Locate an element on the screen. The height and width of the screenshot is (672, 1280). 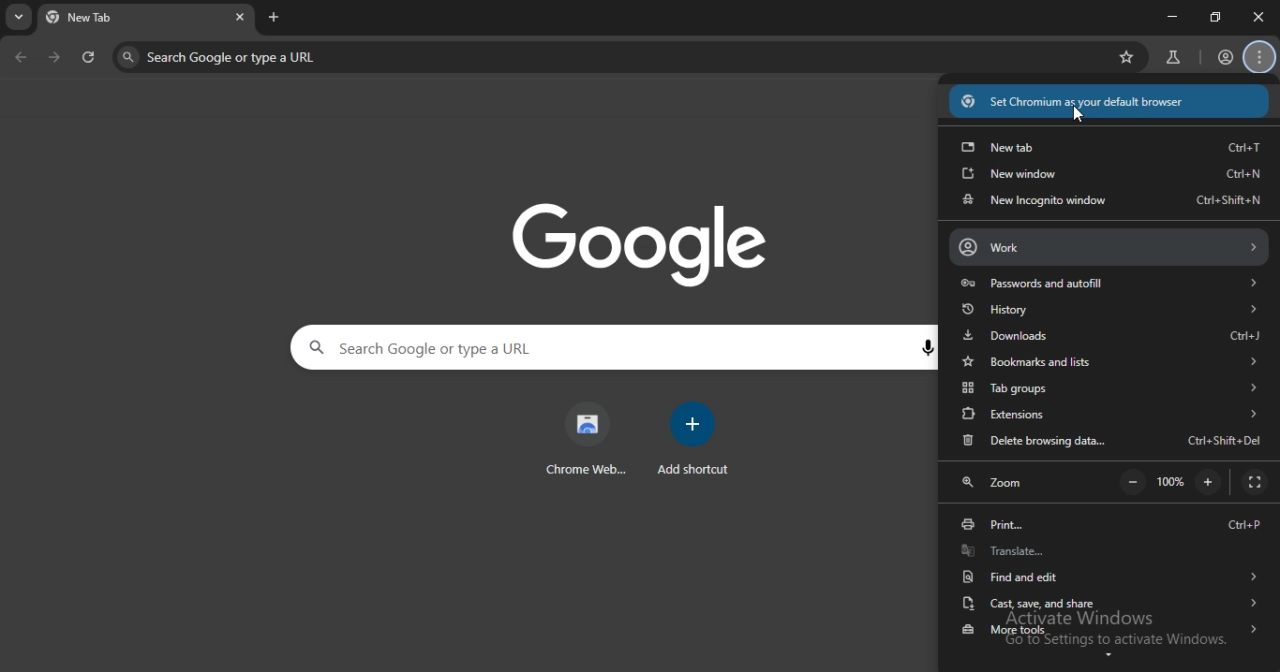
translate is located at coordinates (1107, 552).